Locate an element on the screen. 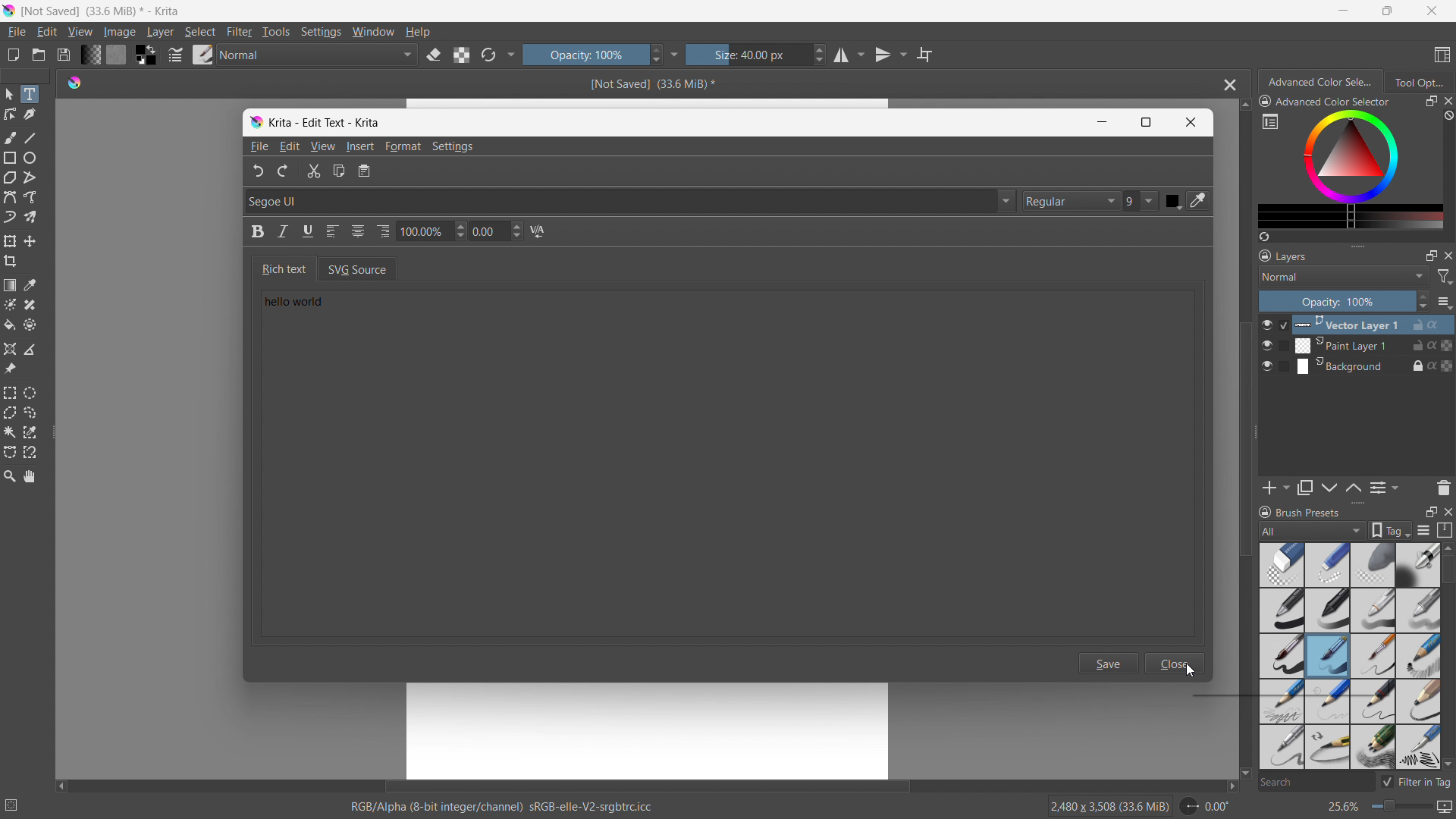 Image resolution: width=1456 pixels, height=819 pixels. new is located at coordinates (13, 55).